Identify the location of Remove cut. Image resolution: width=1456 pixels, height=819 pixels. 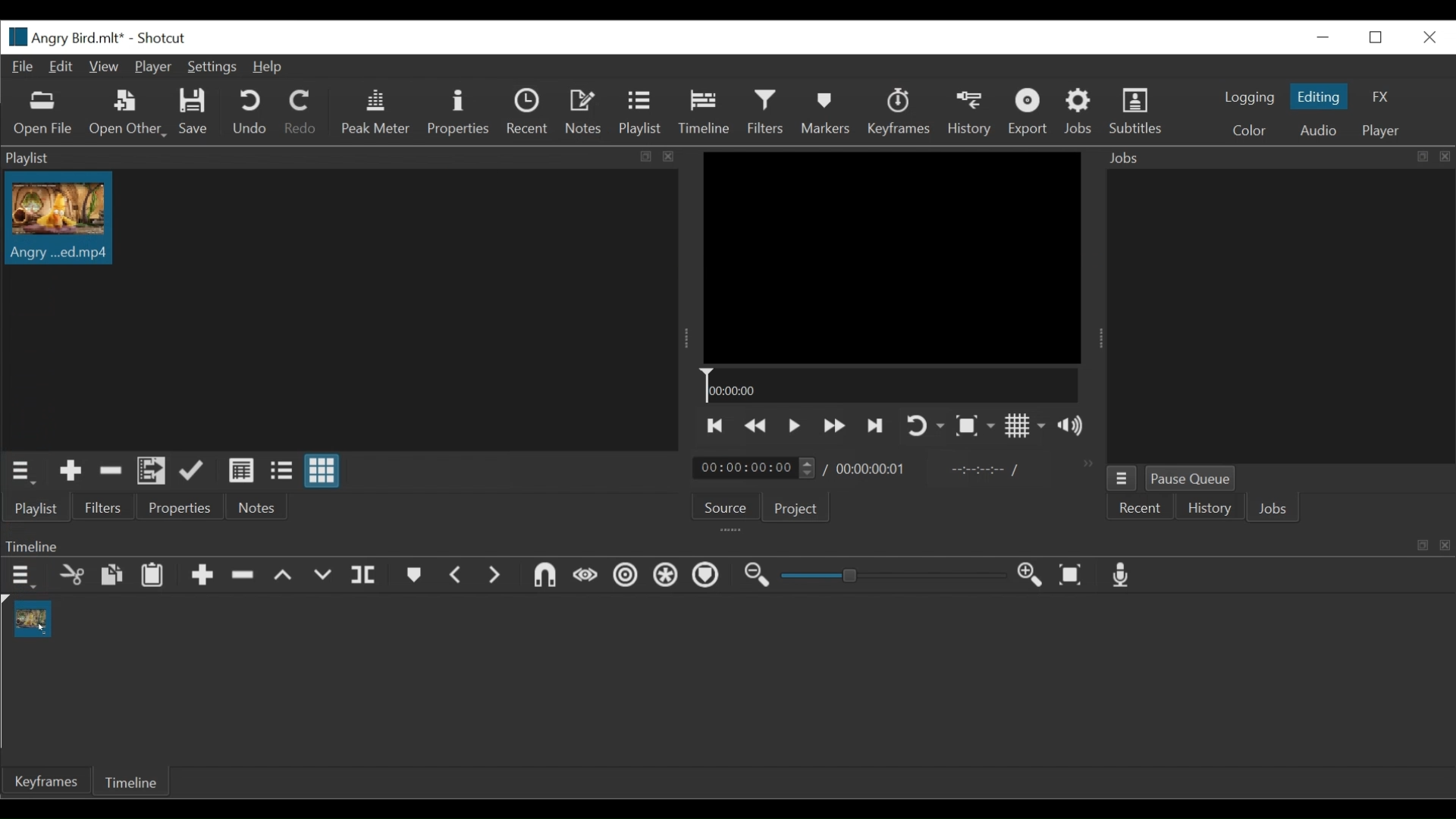
(111, 472).